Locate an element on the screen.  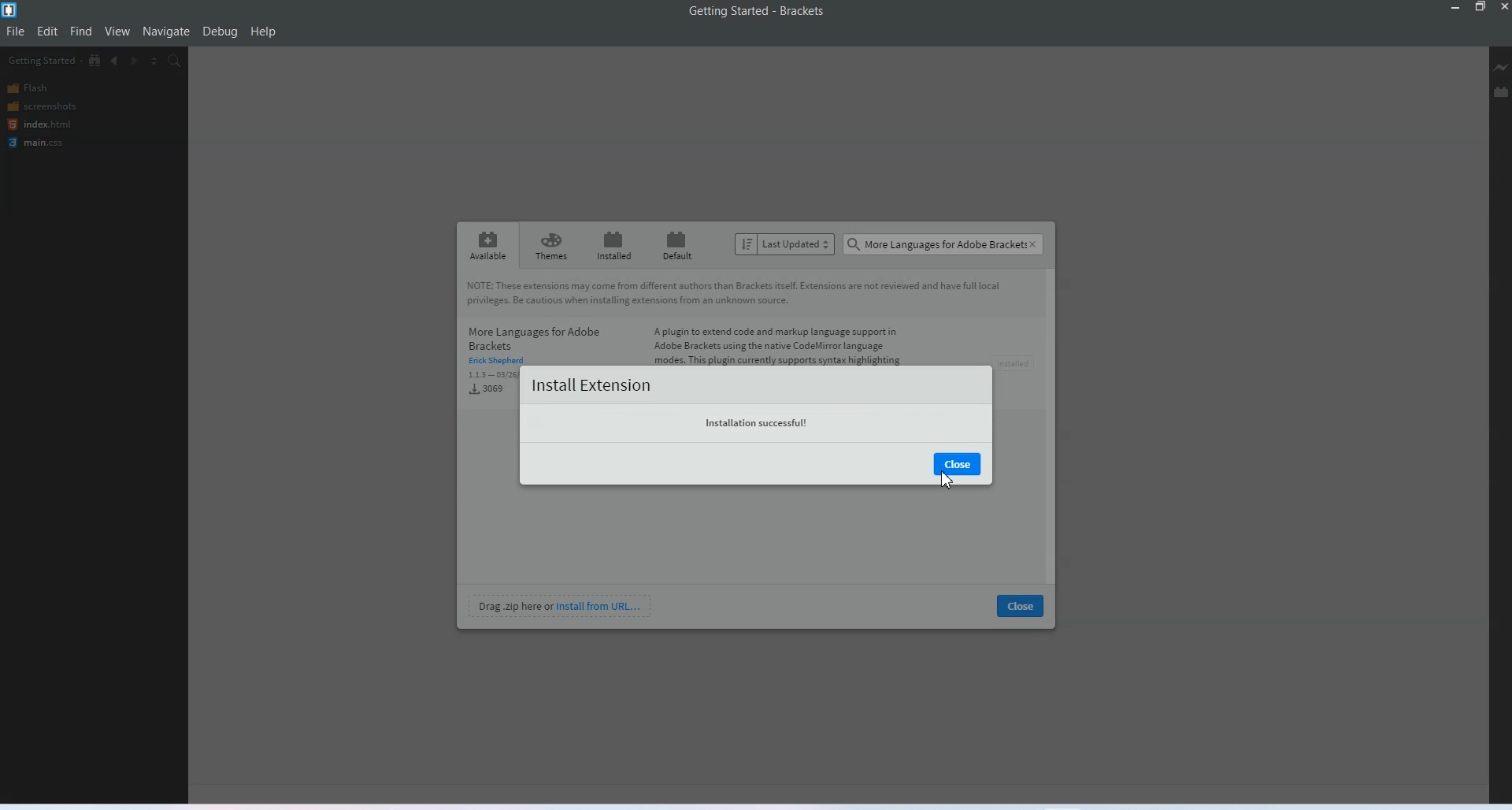
theme is located at coordinates (553, 245).